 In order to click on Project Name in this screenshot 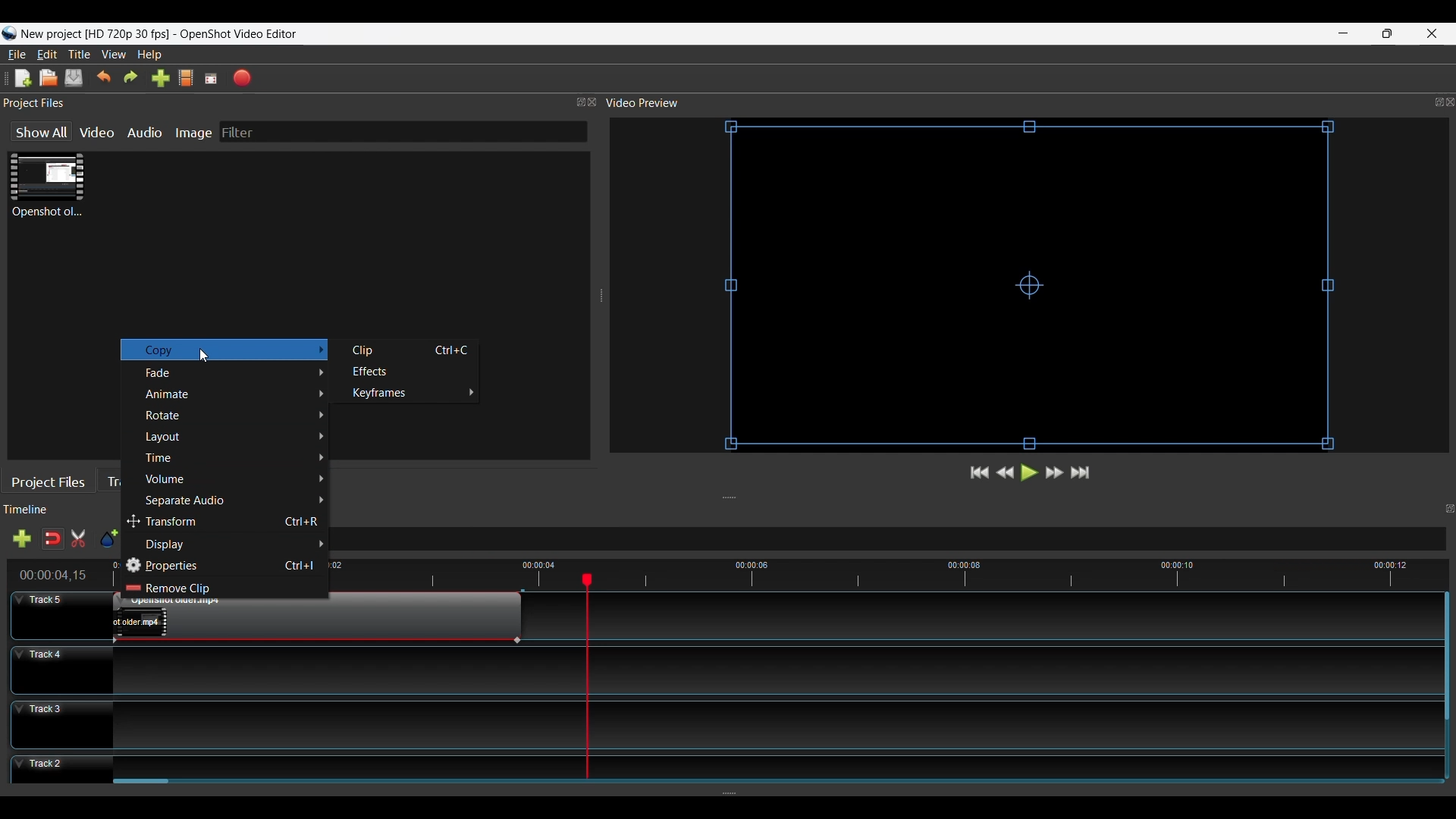, I will do `click(95, 35)`.